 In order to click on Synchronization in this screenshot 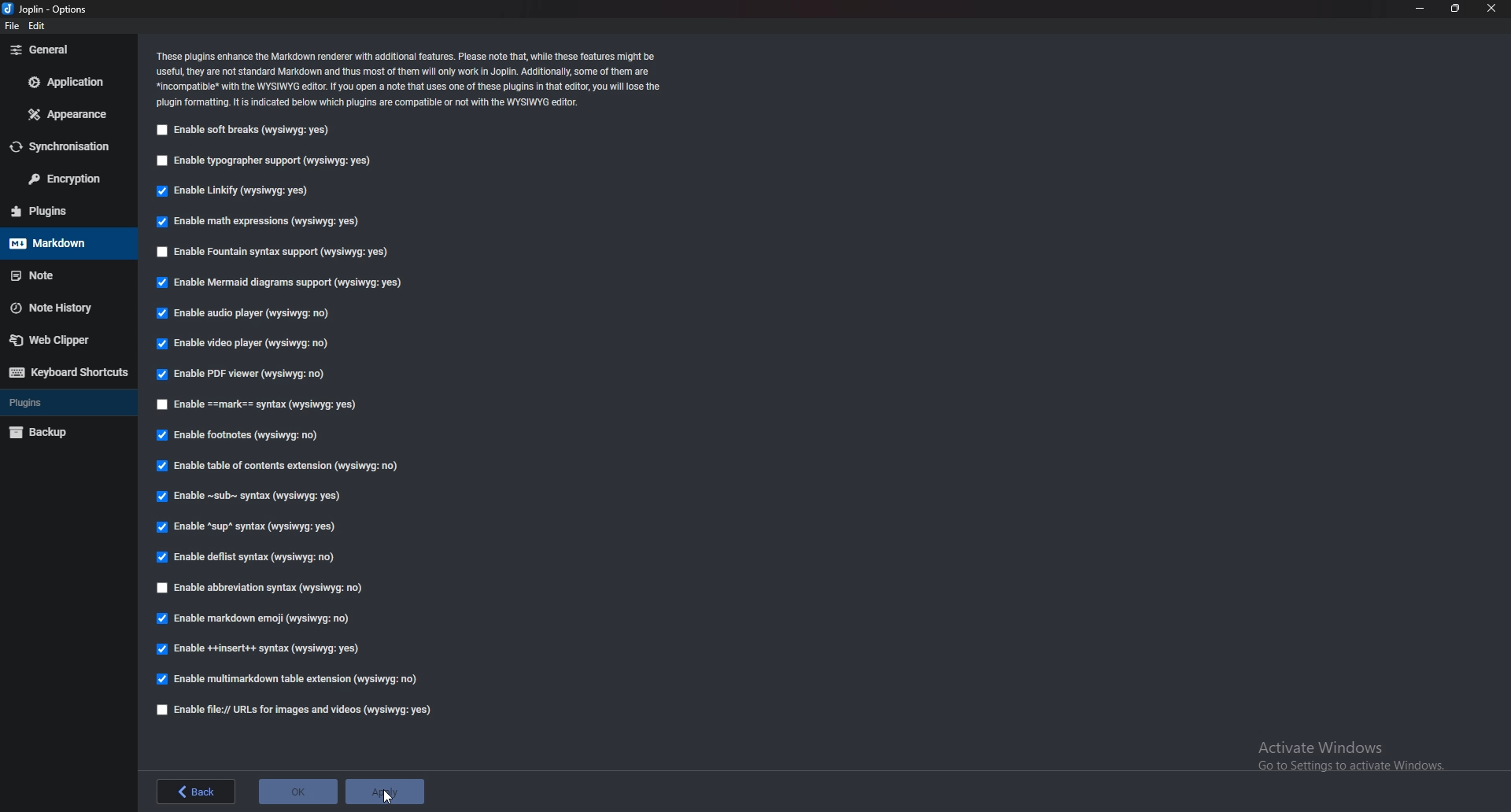, I will do `click(68, 146)`.